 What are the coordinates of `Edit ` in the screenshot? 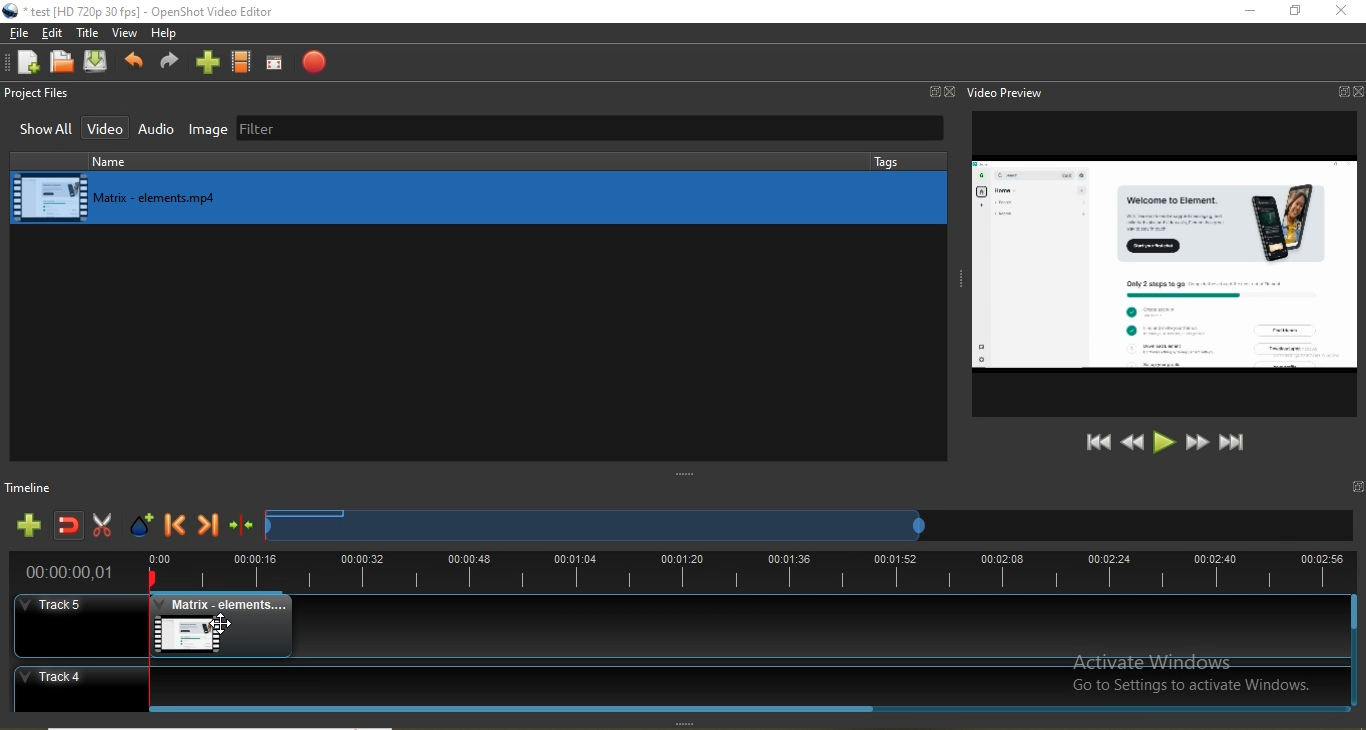 It's located at (55, 33).